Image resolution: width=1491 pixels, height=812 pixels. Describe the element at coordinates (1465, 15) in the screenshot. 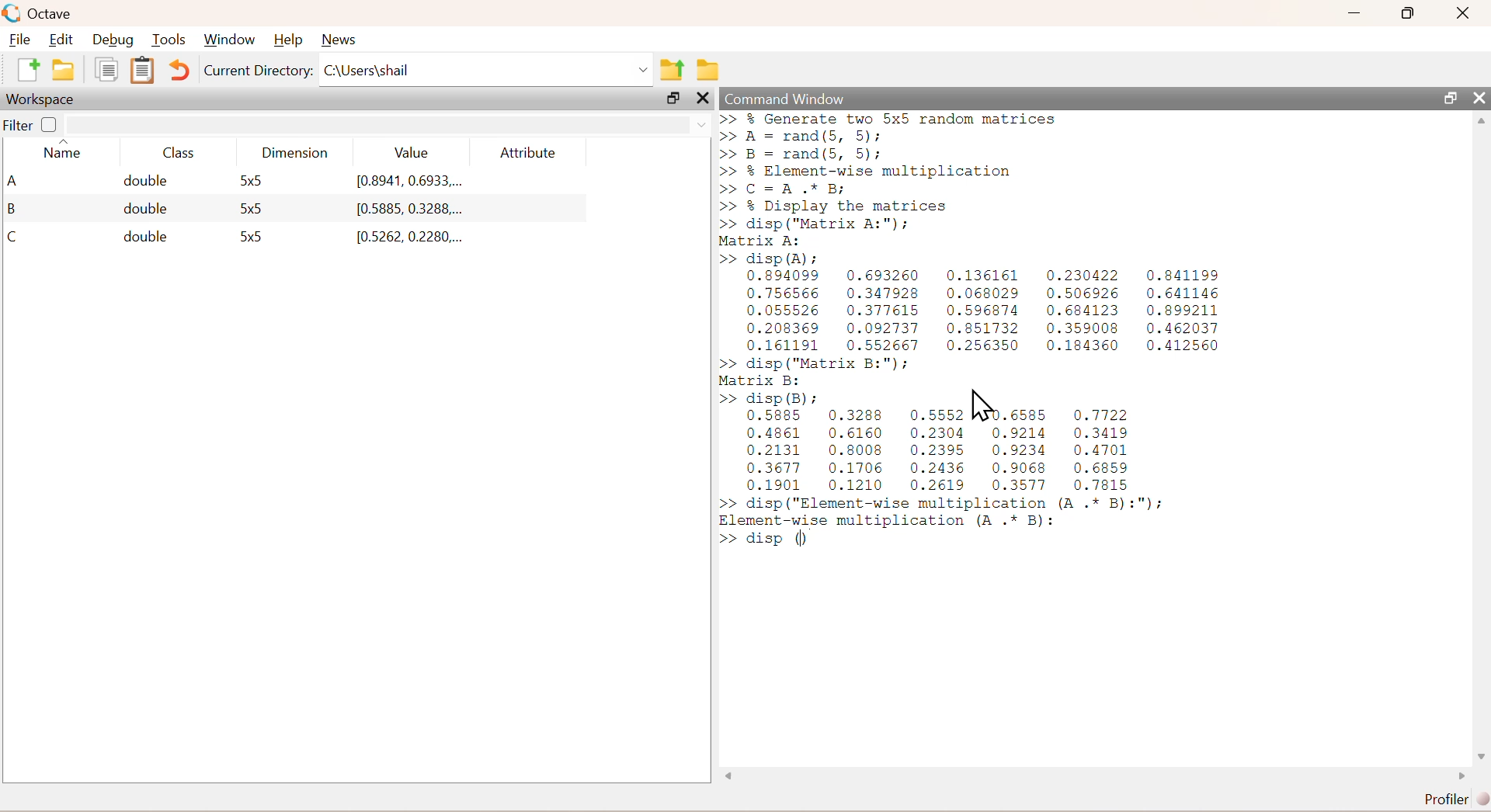

I see `Close` at that location.